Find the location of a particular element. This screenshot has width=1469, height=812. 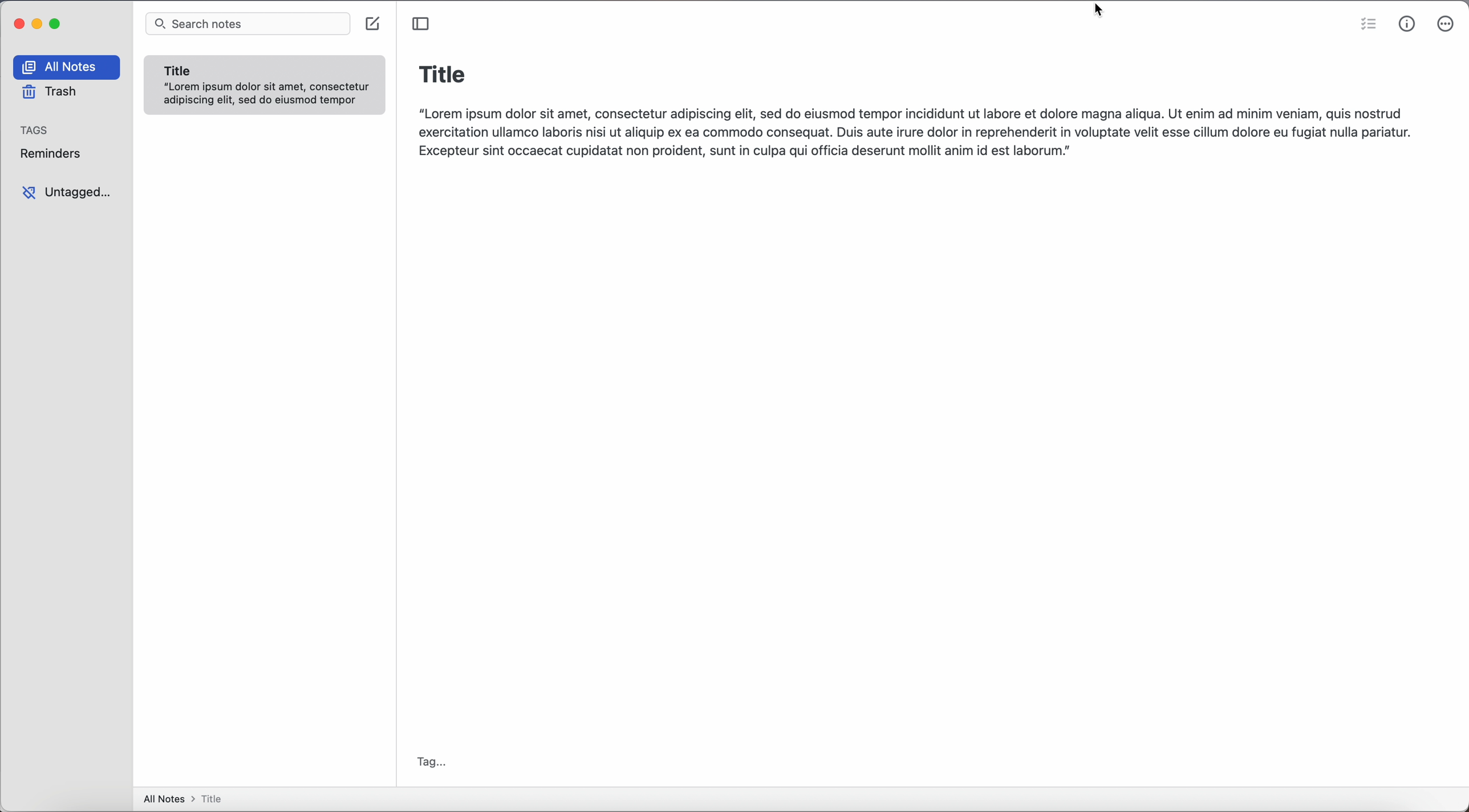

tag is located at coordinates (432, 764).